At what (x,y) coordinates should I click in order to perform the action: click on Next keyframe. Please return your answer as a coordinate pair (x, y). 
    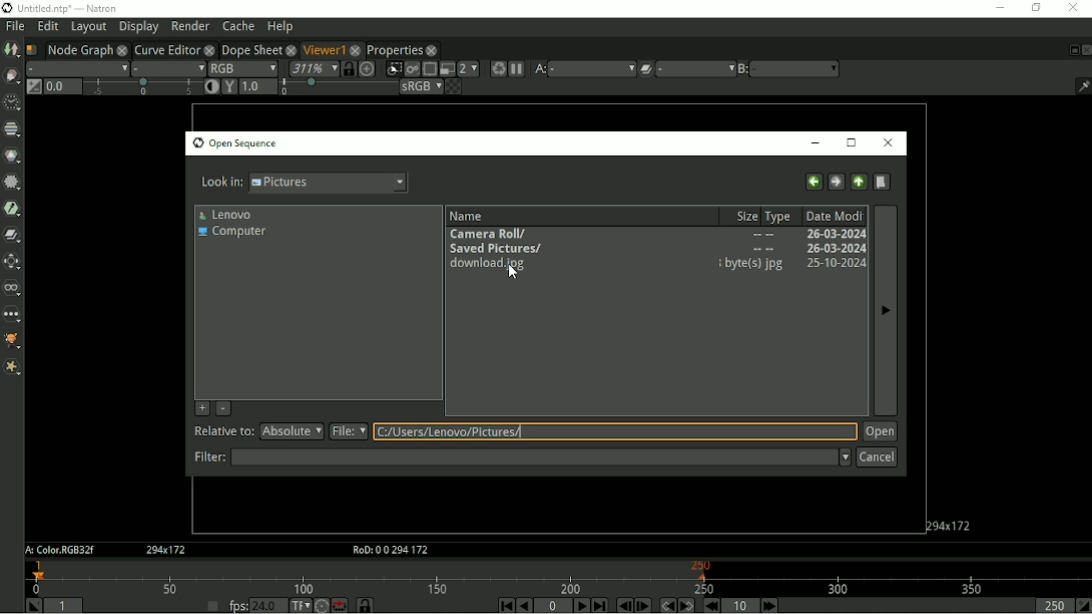
    Looking at the image, I should click on (687, 605).